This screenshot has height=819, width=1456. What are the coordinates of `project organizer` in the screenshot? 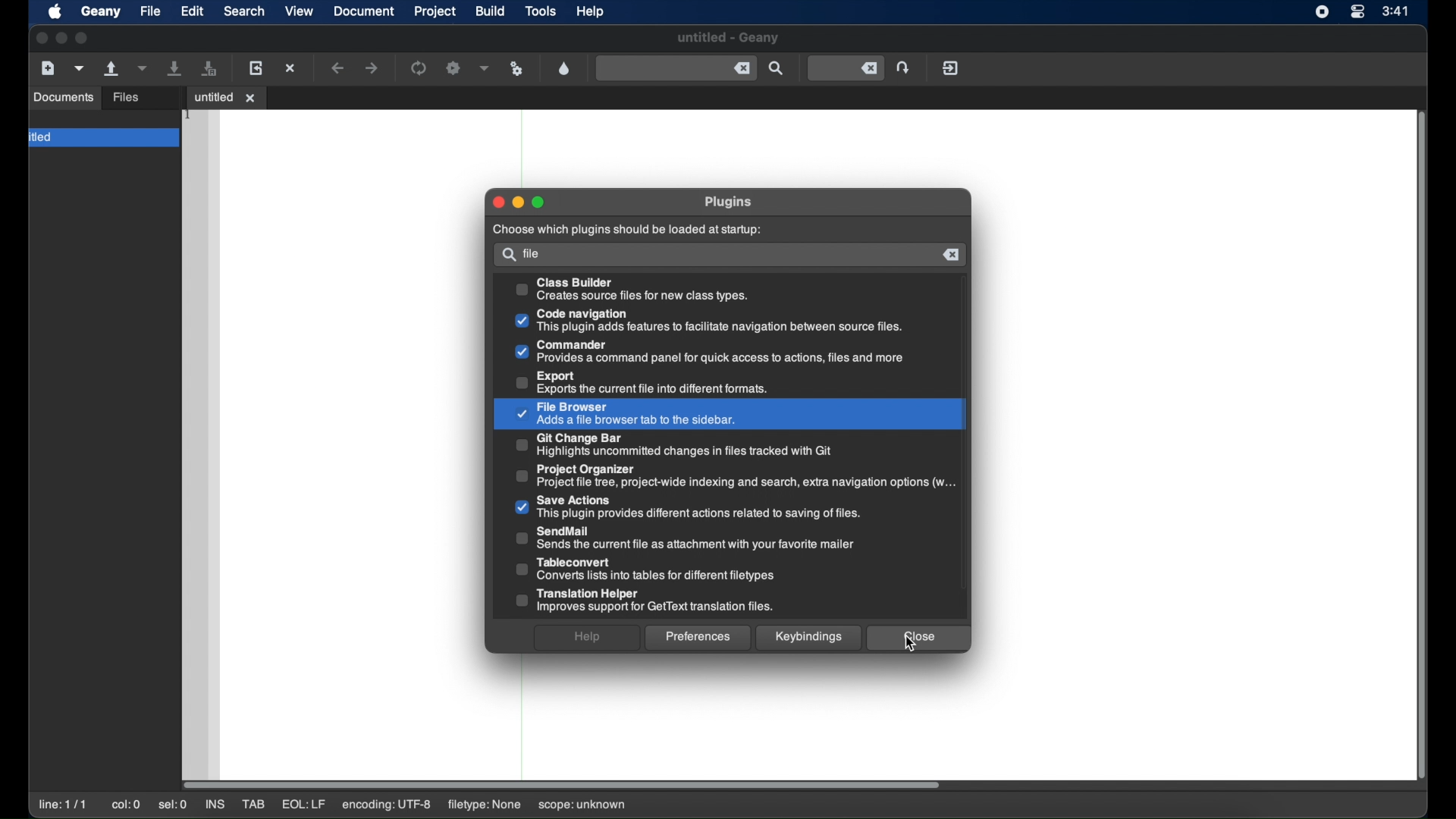 It's located at (736, 475).